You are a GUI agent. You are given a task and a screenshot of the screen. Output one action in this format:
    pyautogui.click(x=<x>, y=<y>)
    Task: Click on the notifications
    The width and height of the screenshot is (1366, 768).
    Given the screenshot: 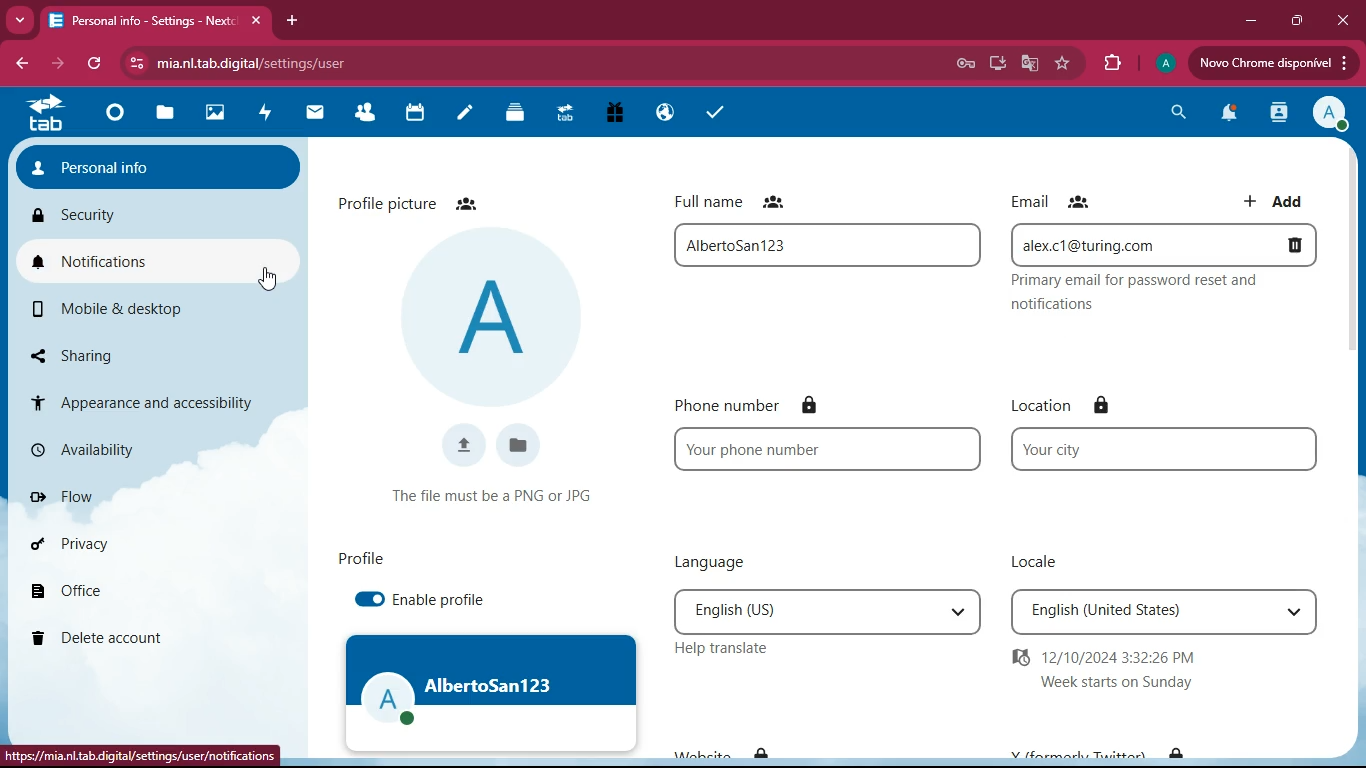 What is the action you would take?
    pyautogui.click(x=162, y=259)
    